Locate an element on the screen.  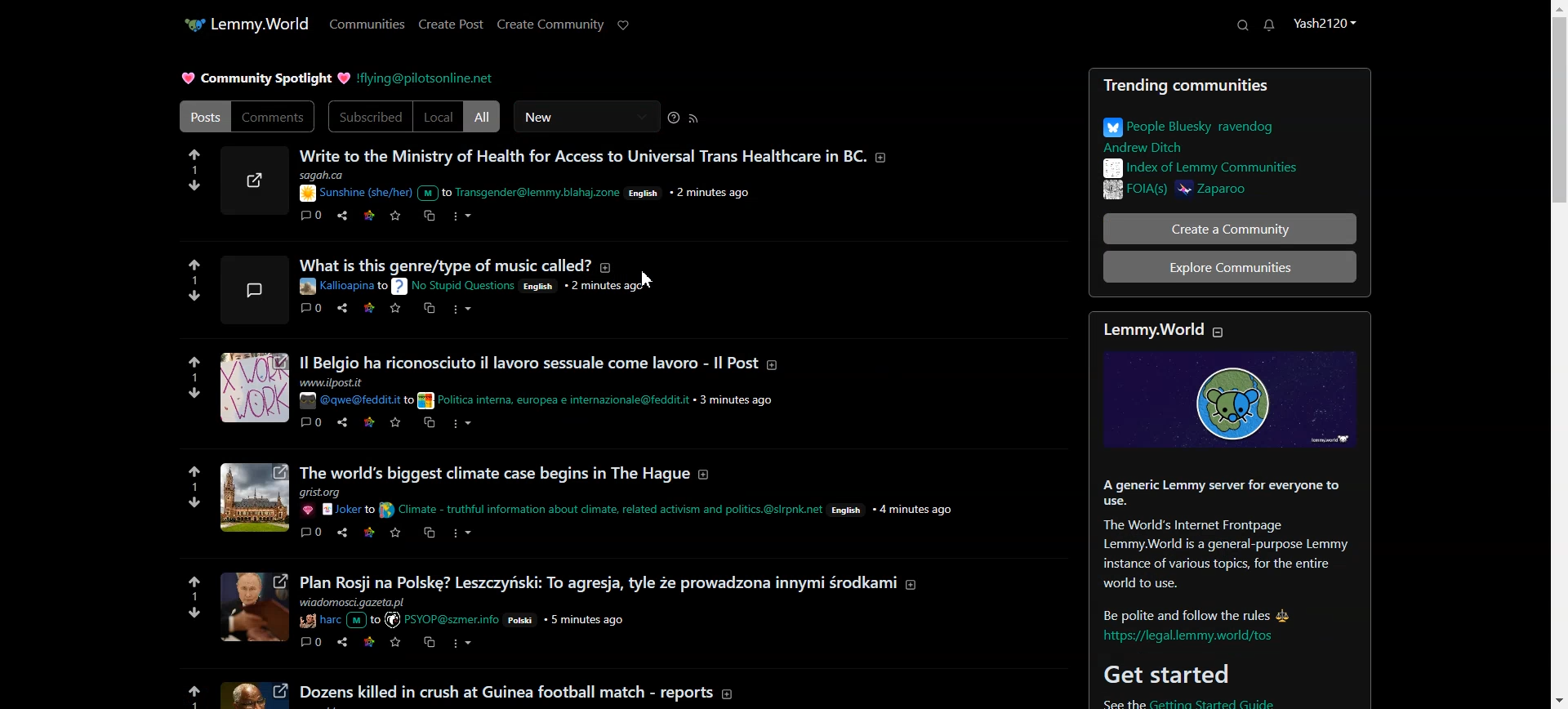
save is located at coordinates (397, 312).